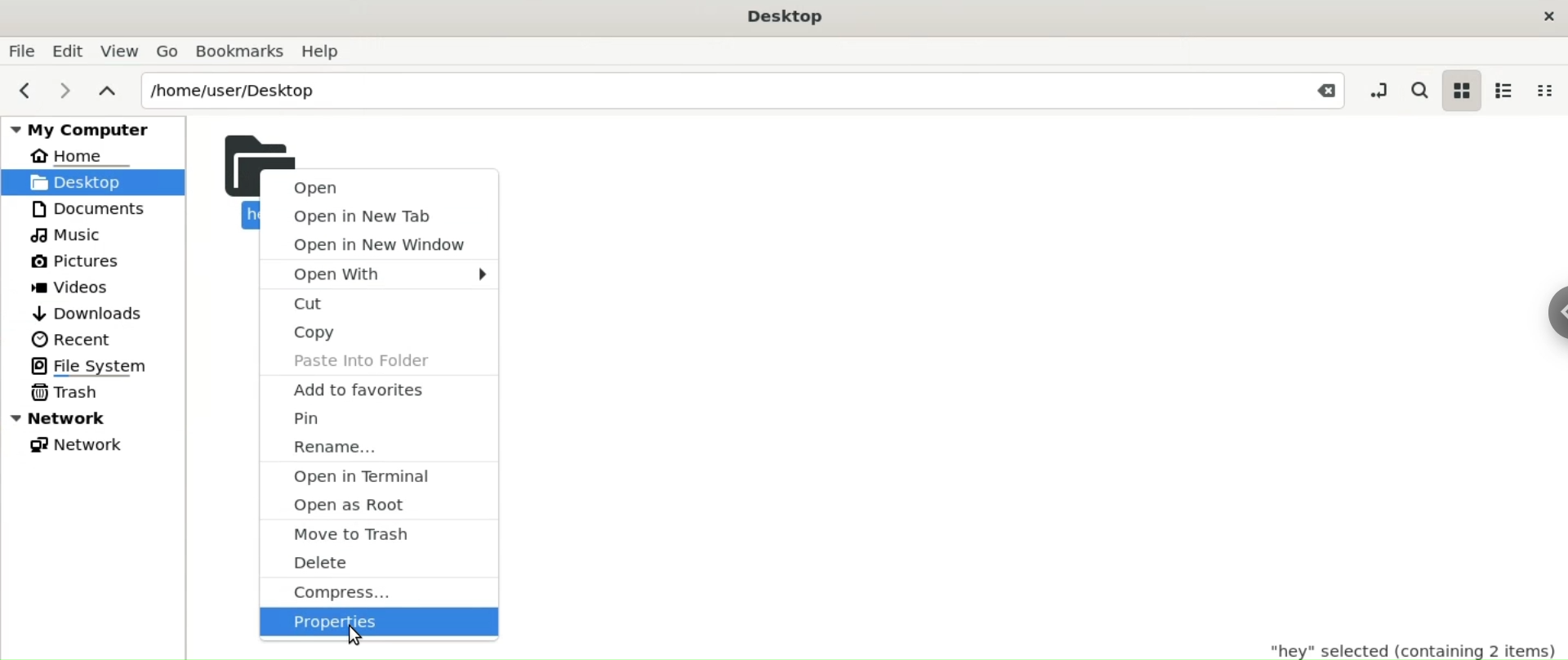 Image resolution: width=1568 pixels, height=660 pixels. I want to click on open with, so click(375, 274).